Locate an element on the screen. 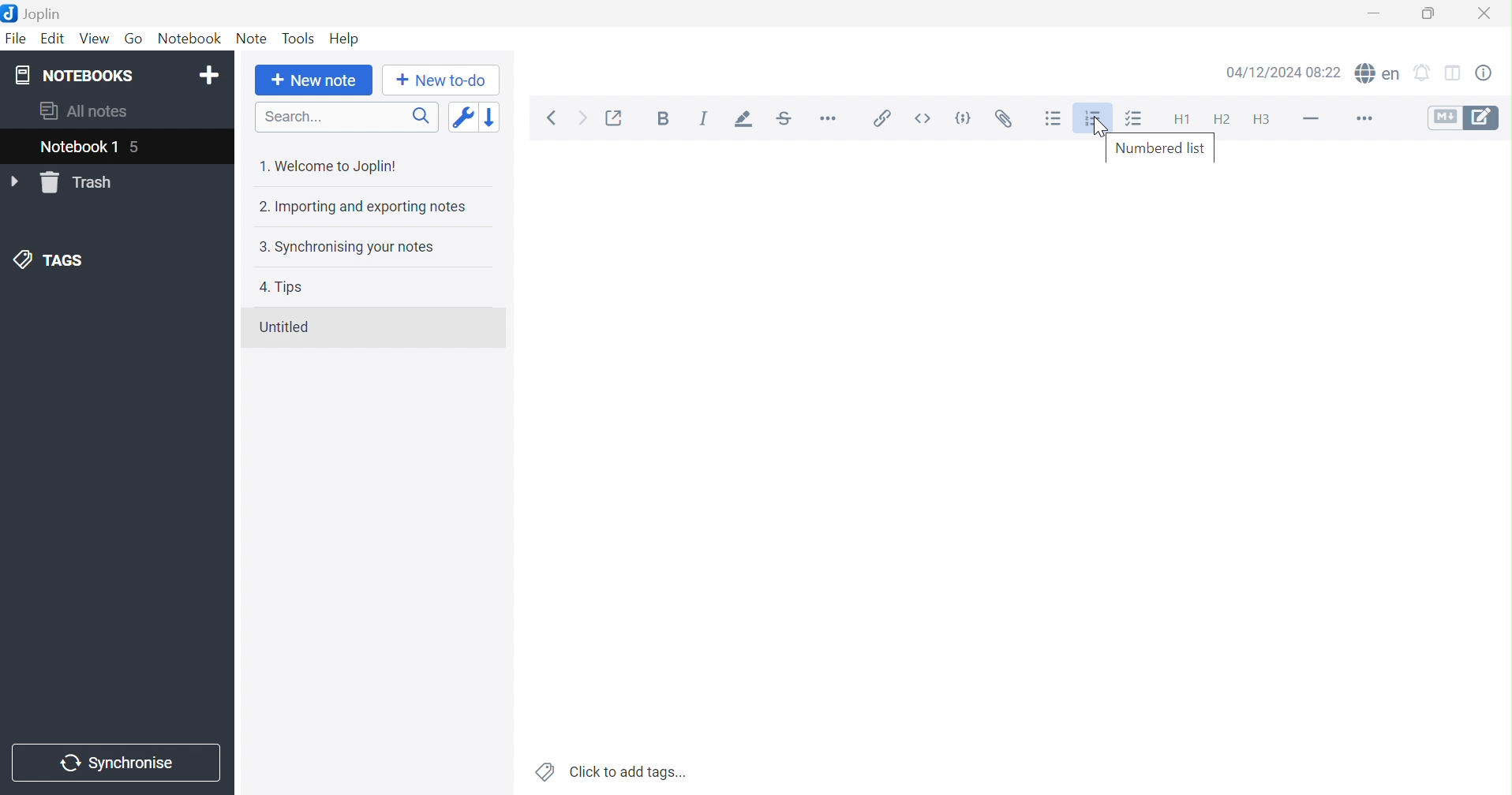 This screenshot has height=795, width=1512. Highlight is located at coordinates (745, 120).